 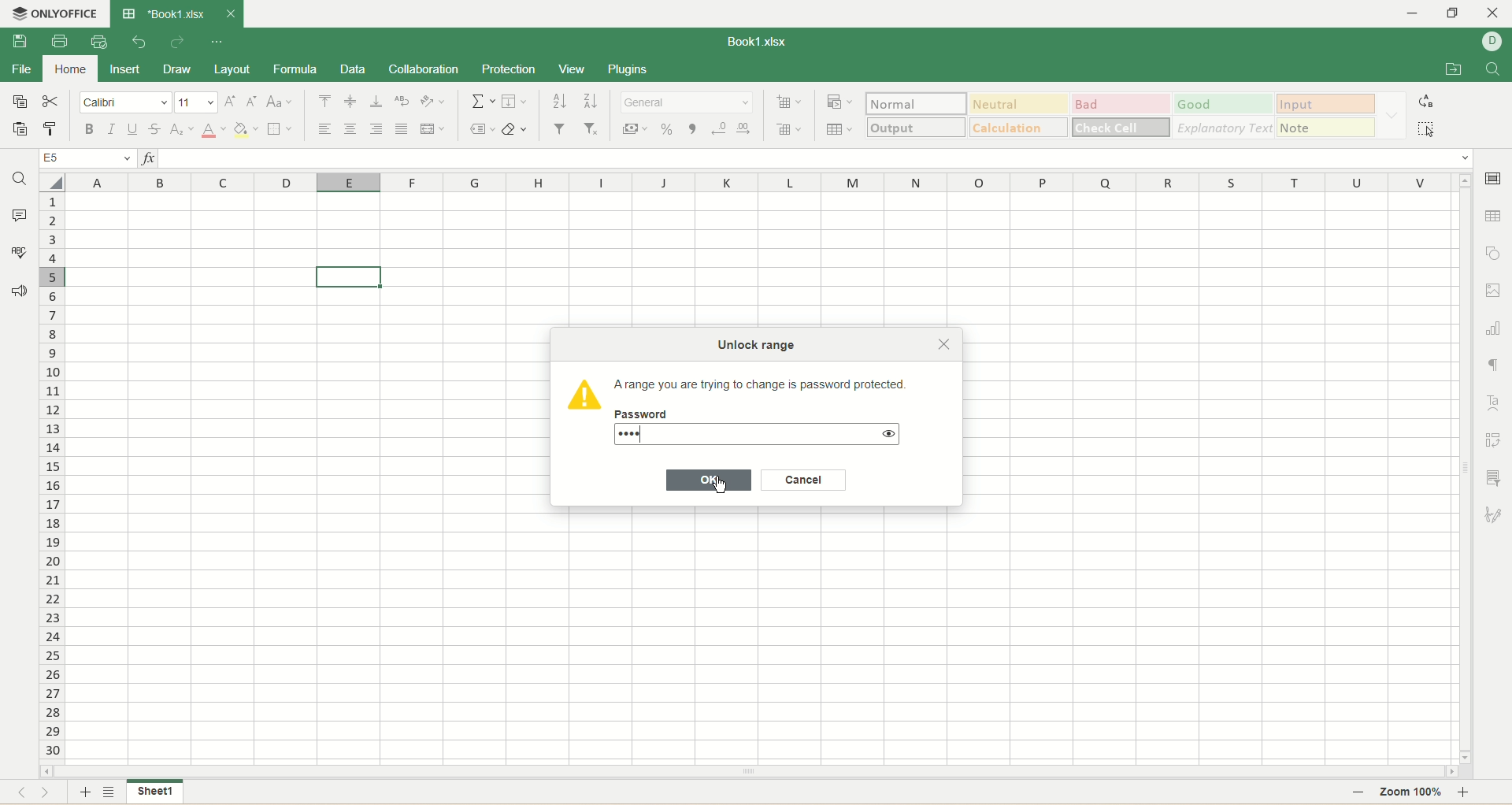 What do you see at coordinates (246, 130) in the screenshot?
I see `background color` at bounding box center [246, 130].